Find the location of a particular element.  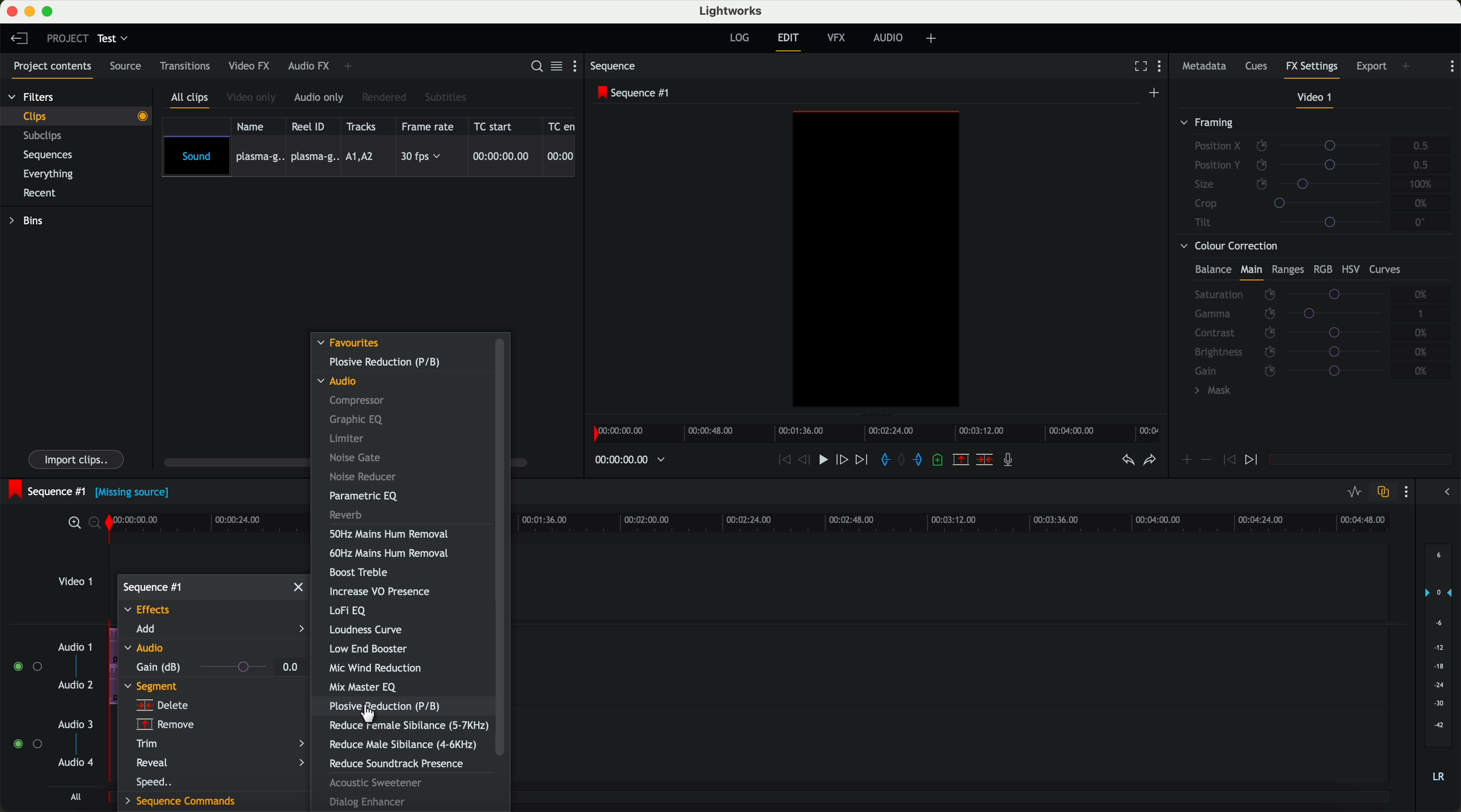

sequences is located at coordinates (52, 157).